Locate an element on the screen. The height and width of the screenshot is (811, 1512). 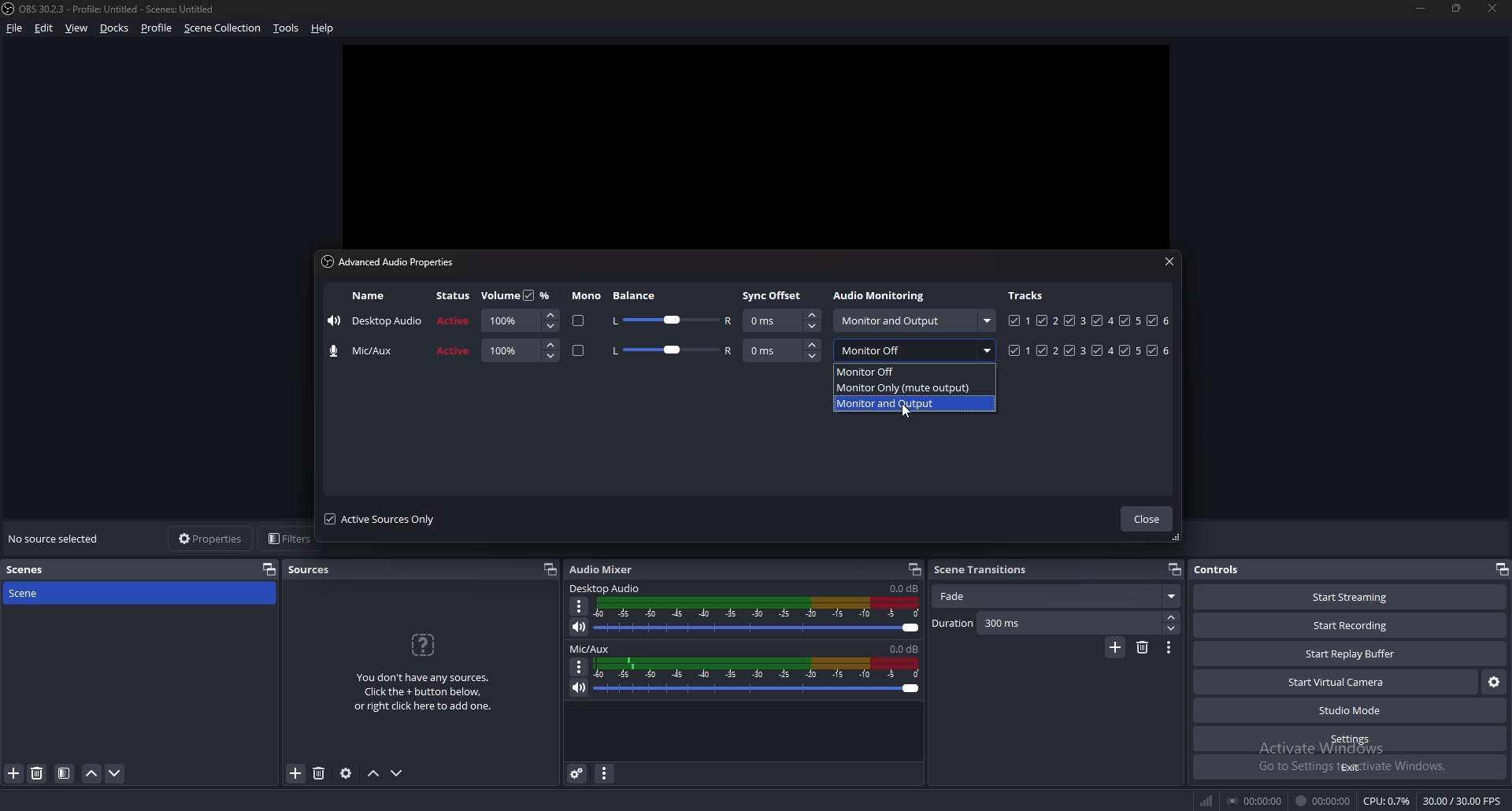
tools is located at coordinates (287, 28).